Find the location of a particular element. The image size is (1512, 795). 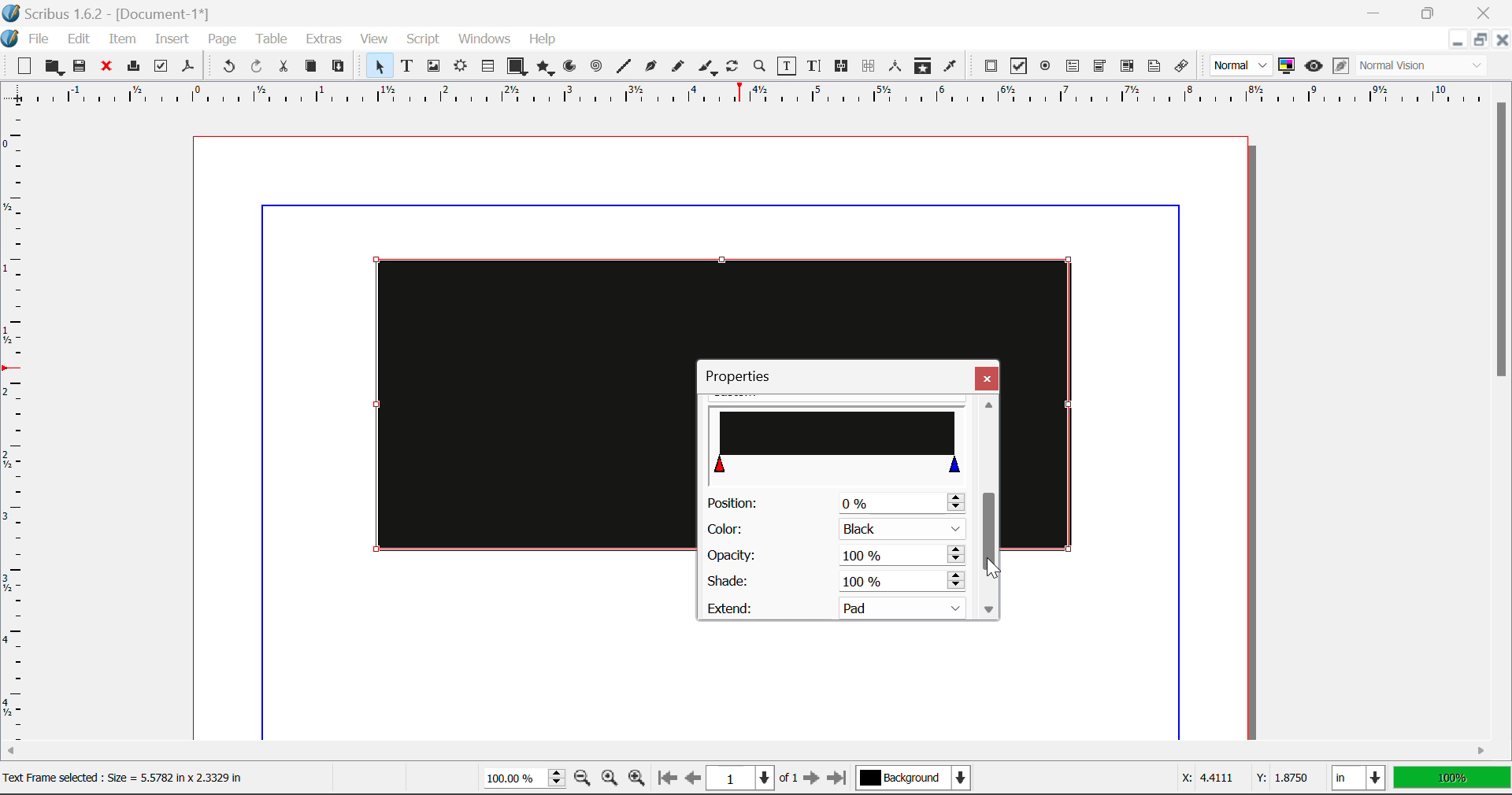

Tables is located at coordinates (487, 68).